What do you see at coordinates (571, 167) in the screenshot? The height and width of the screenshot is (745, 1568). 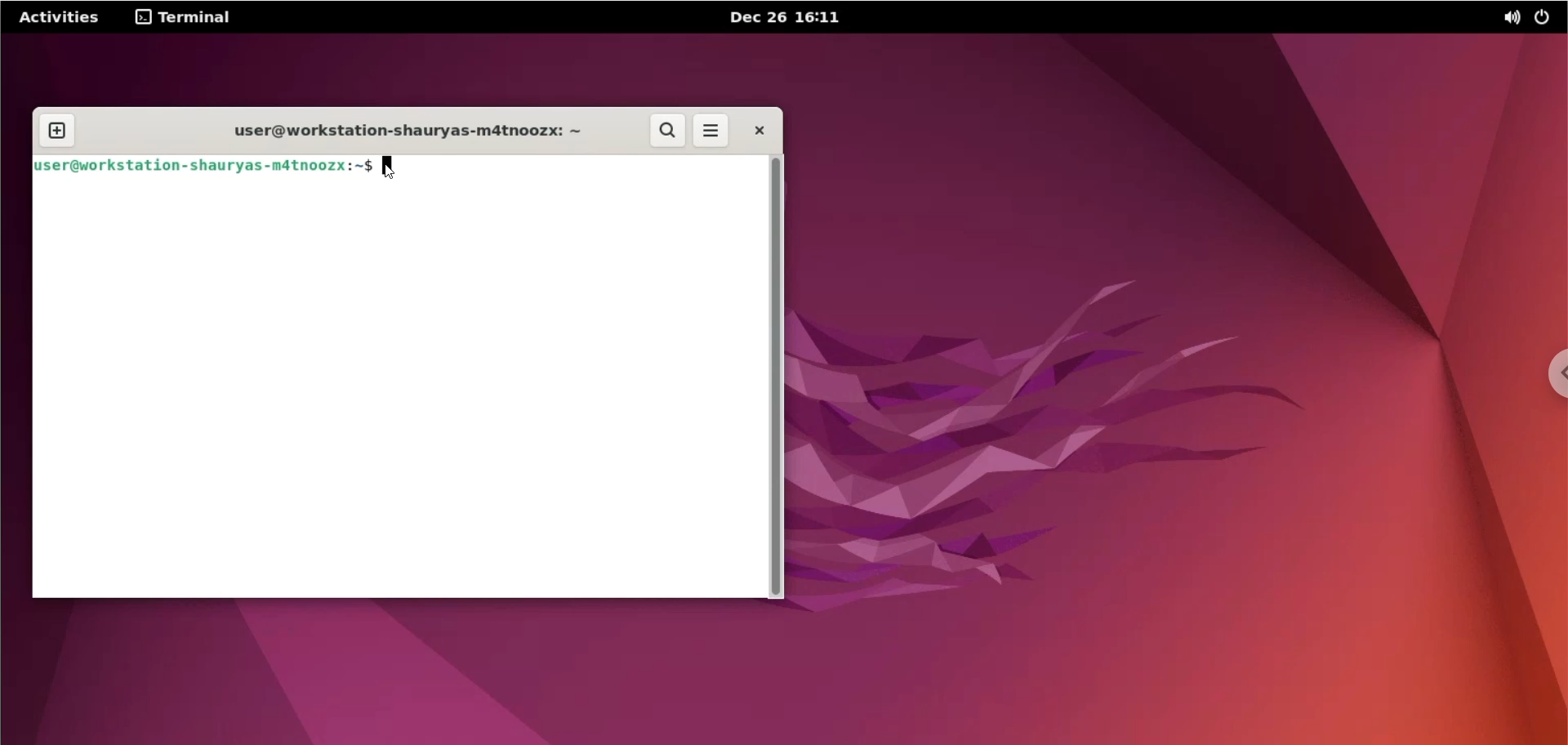 I see `command input` at bounding box center [571, 167].